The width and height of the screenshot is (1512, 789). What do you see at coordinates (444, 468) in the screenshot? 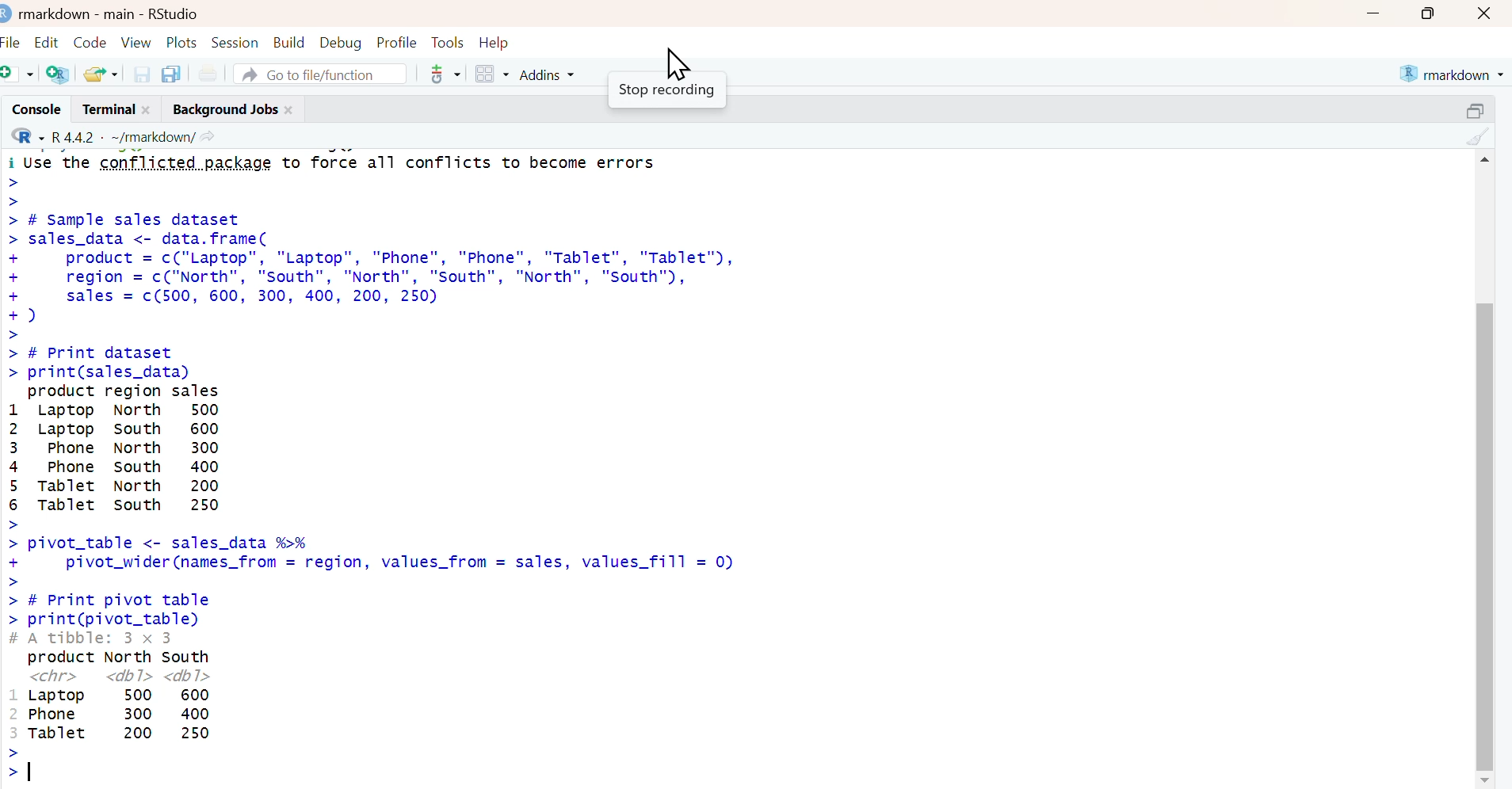
I see `i Use the conflicted package to force all conflicts to become errors
>
>
> # sample sales dataset
> sales_data <- data.frame(
+ product = c("Laptop”, "Laptop", "Phone", "Phone", "Tablet", "Tablet"),
+ region = c("North", "south", "North", "south", "North", "south"),
+ sales = c(500, 600, 300, 400, 200, 250)
+)
>
> # Print dataset
> print(sales_data)
product region sales
1 Laptop North 500
2 Laptop South 600
3 phone North 300
4 Phone south 400
5 Tablet North 200
6 Tablet south 250
>
> pivot_table <- sales_data %>%
+ pivot_wider (names_from = region, values_from = sales, values_fill = 0)
>
> # Print pivot table
> print(pivot_table)
# A tibble: 3 x 3
product North South
<chr> <dbl> <dbl>
| Laptop 500 600
Phone 300 400
Tablet 200 250
>
ql` at bounding box center [444, 468].